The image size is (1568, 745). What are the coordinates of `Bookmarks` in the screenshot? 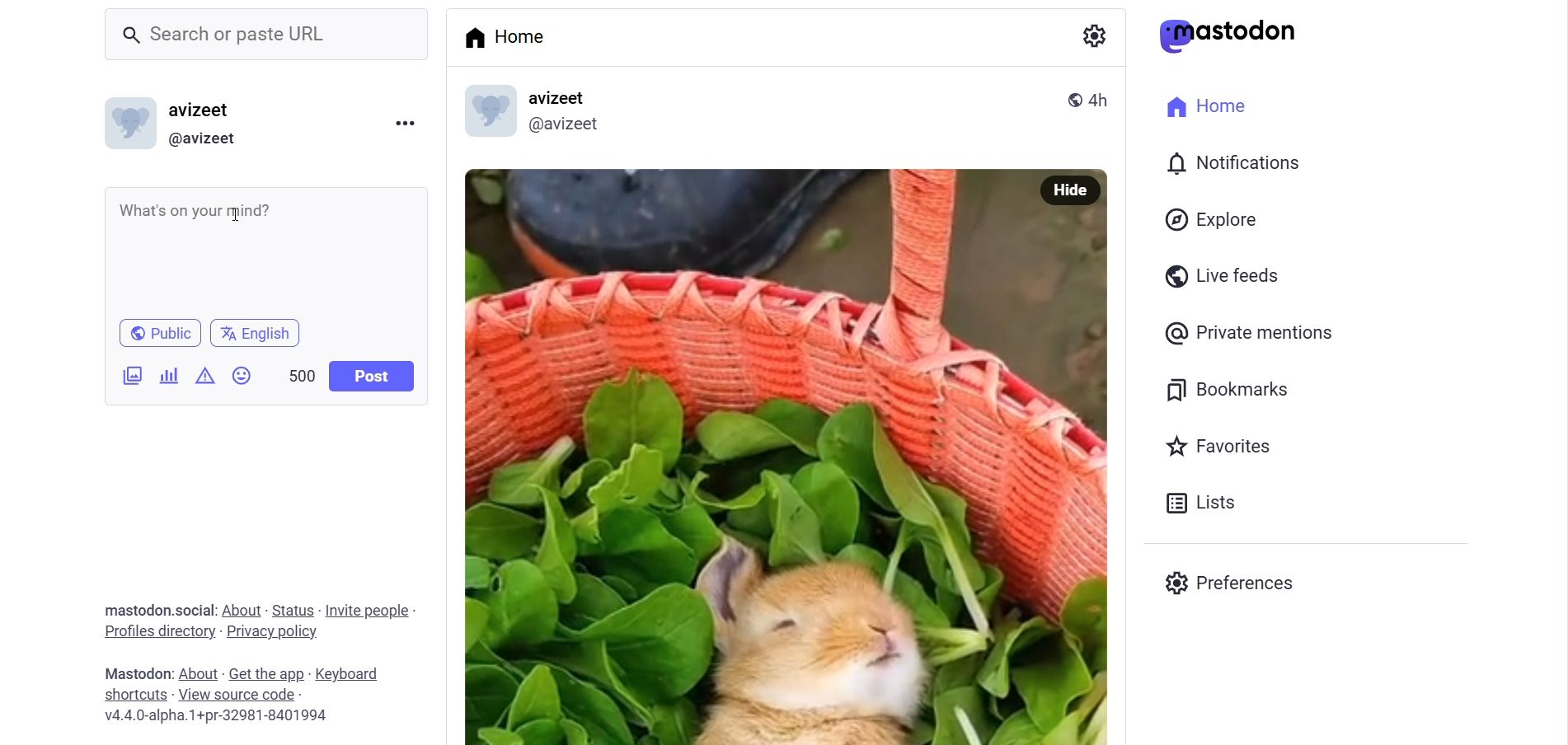 It's located at (1226, 388).